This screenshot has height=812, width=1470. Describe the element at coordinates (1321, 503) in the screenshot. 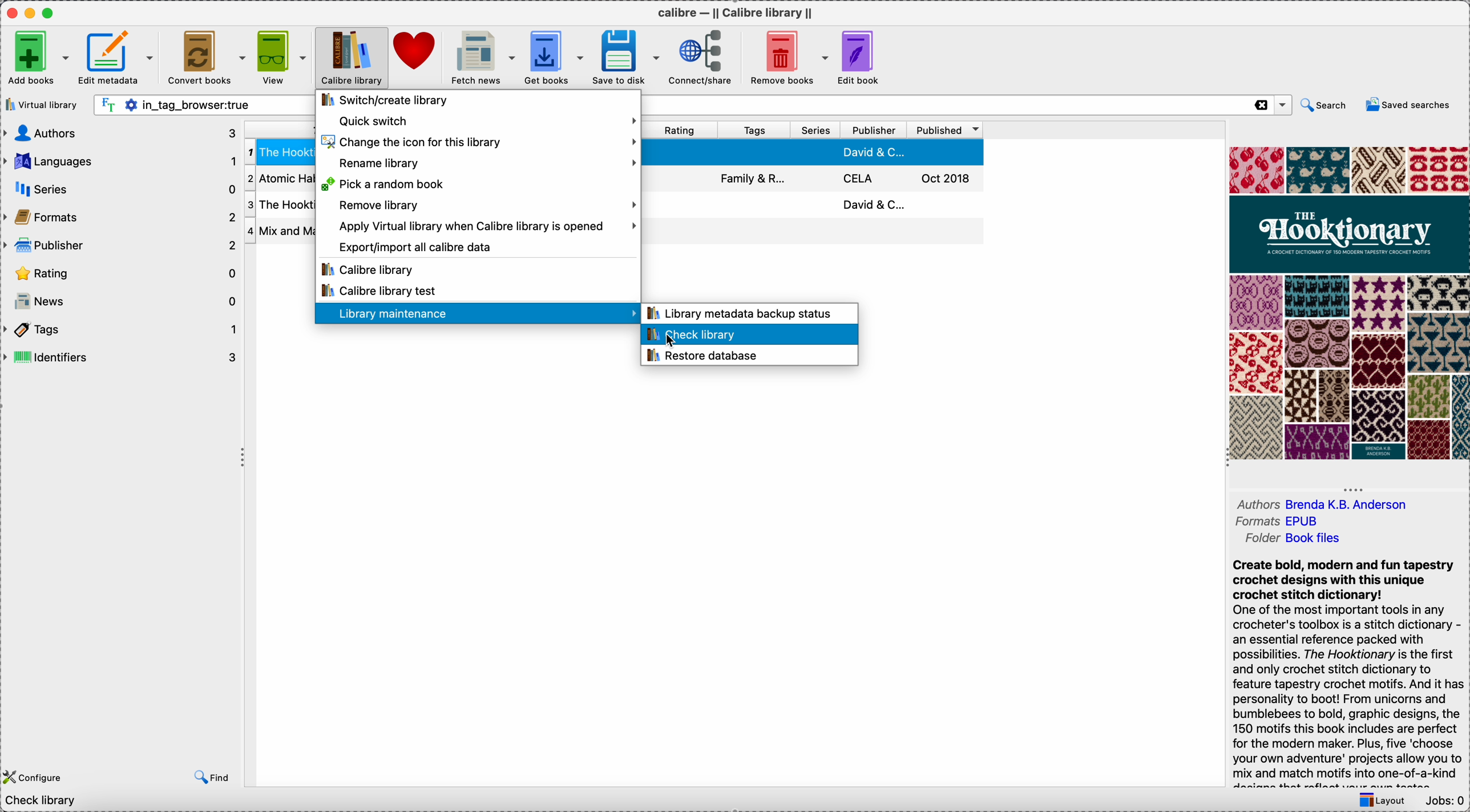

I see `authors` at that location.